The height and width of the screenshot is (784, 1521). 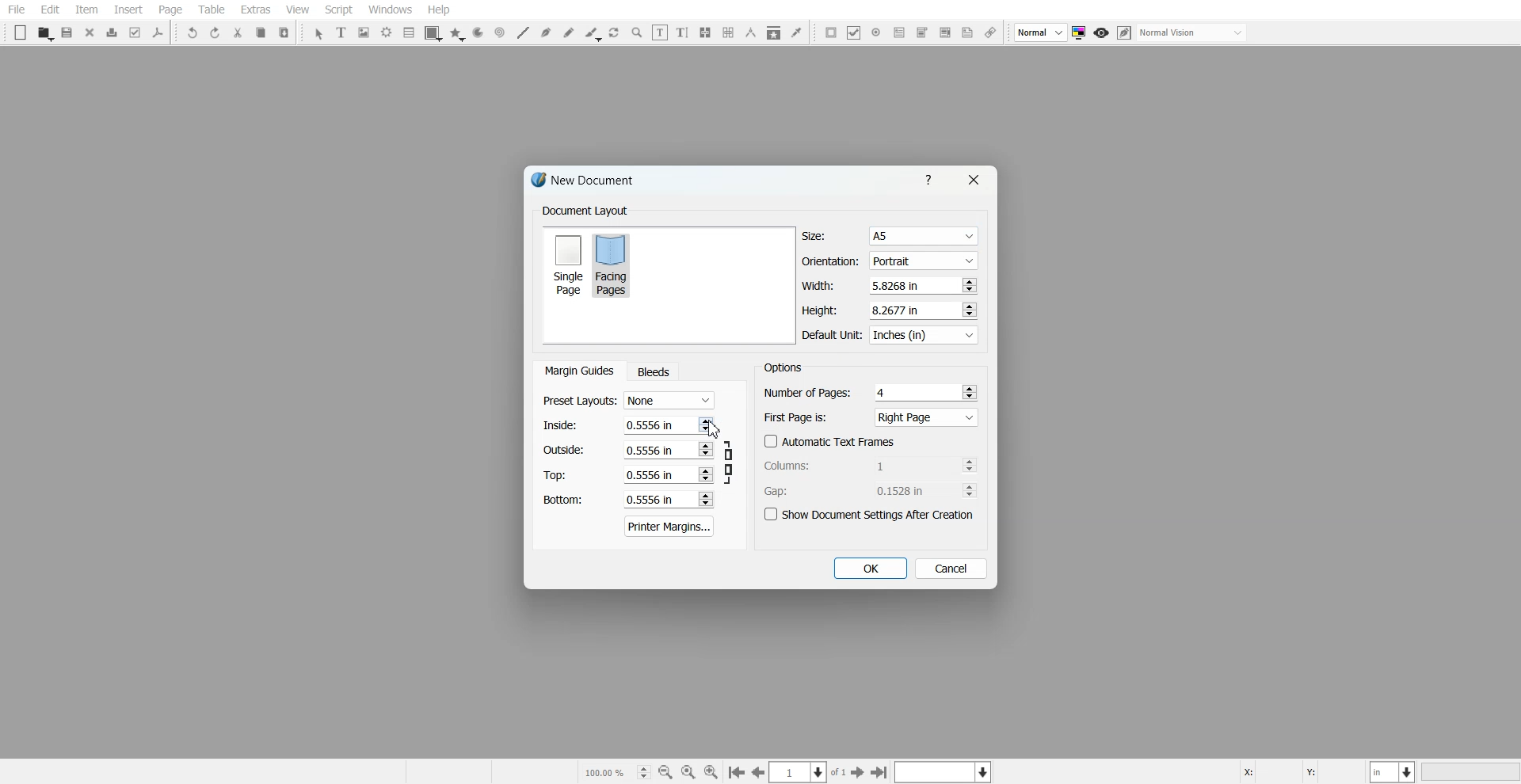 What do you see at coordinates (650, 500) in the screenshot?
I see `0.5556 in` at bounding box center [650, 500].